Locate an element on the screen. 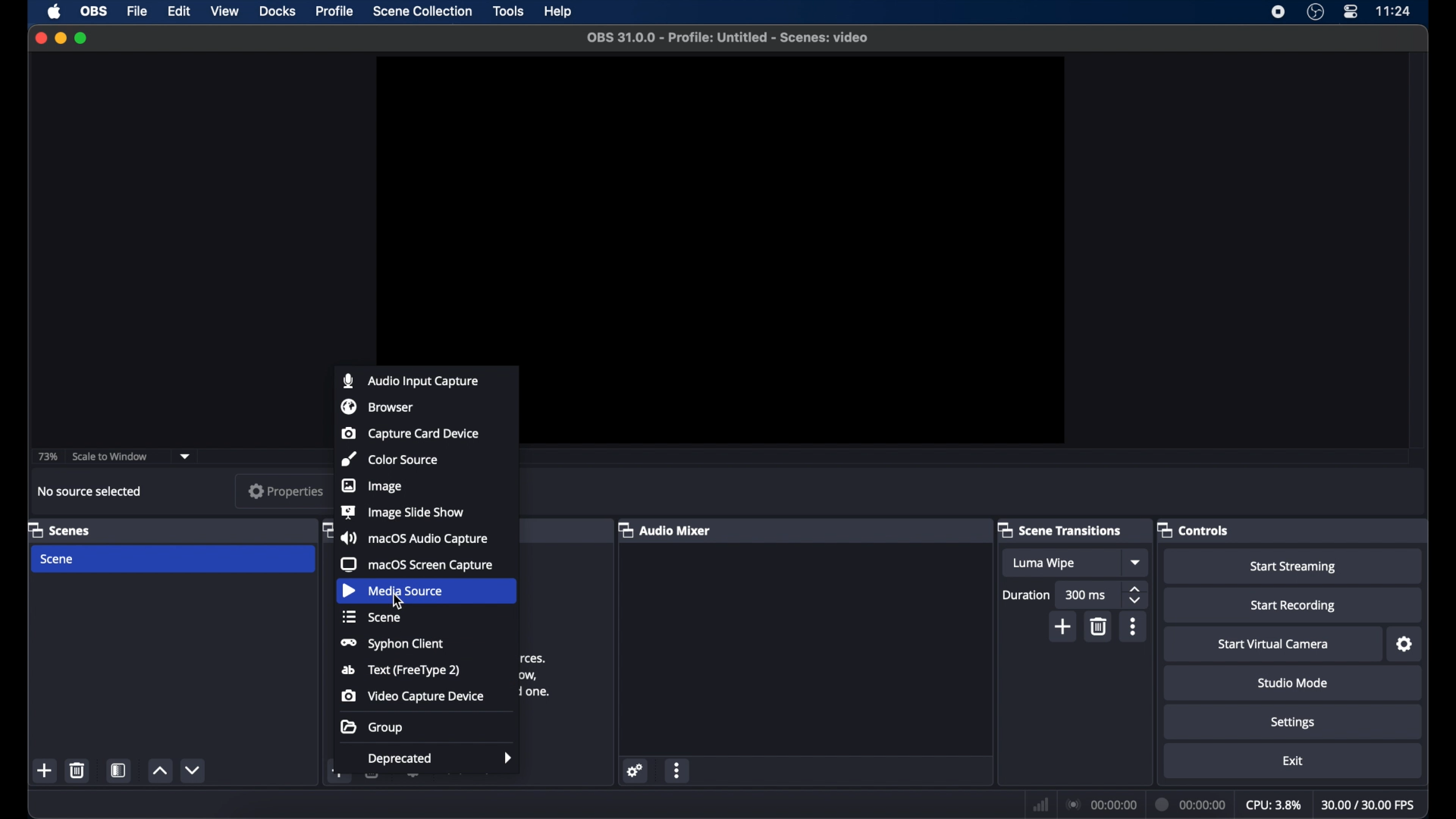 The image size is (1456, 819). obscure text is located at coordinates (538, 675).